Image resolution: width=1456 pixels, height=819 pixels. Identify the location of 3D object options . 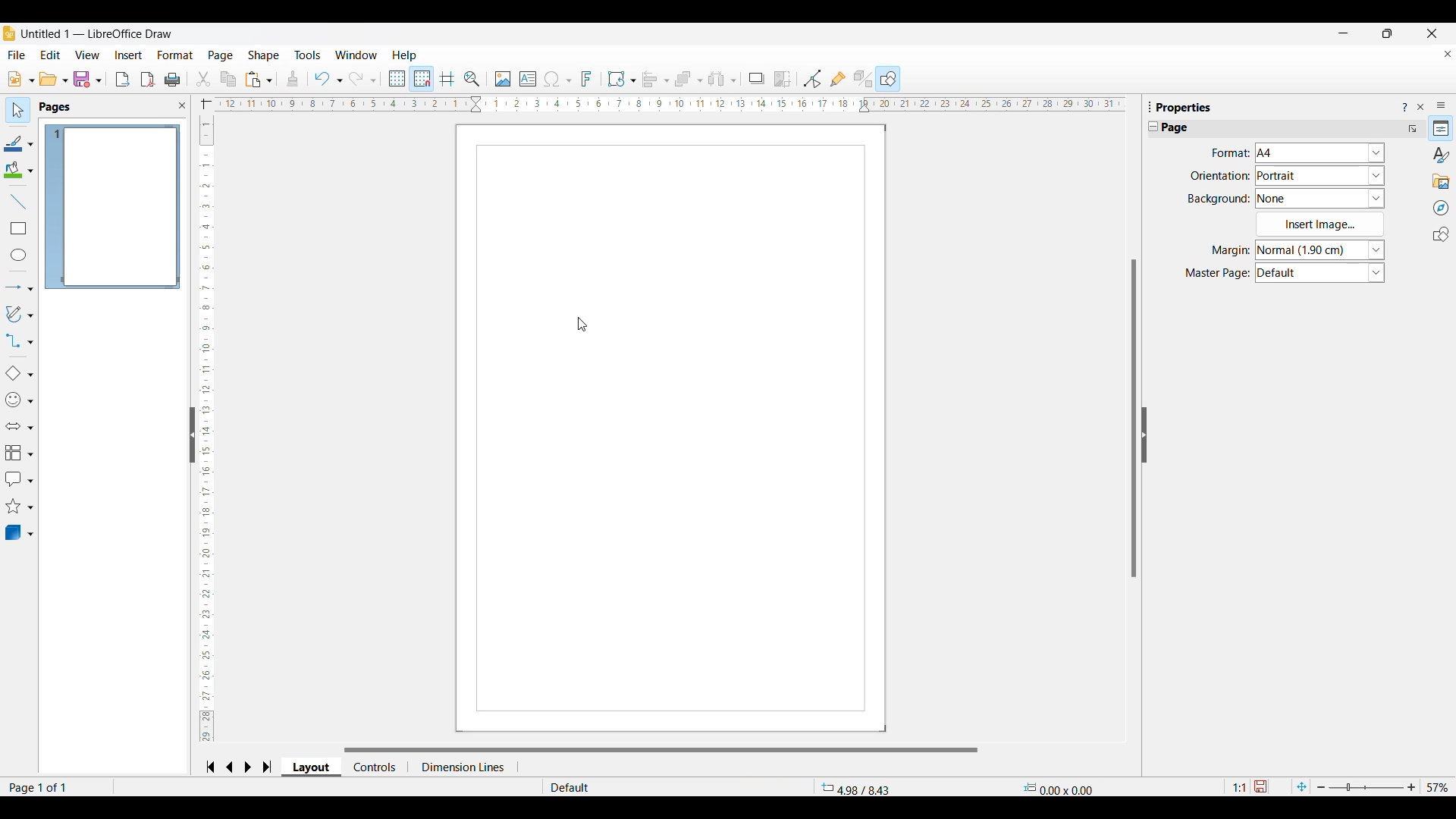
(20, 532).